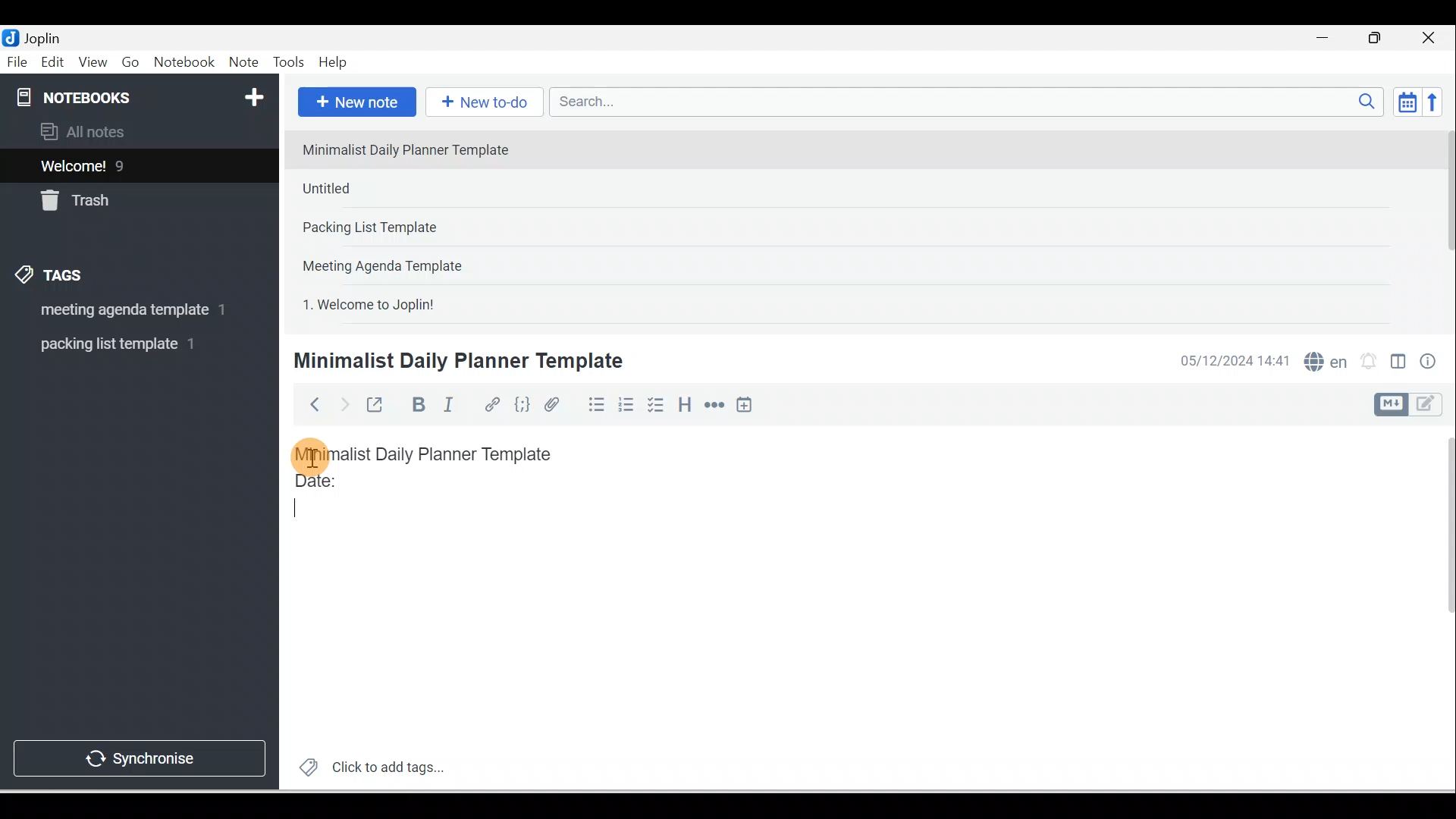 The height and width of the screenshot is (819, 1456). What do you see at coordinates (128, 344) in the screenshot?
I see `Tag 2` at bounding box center [128, 344].